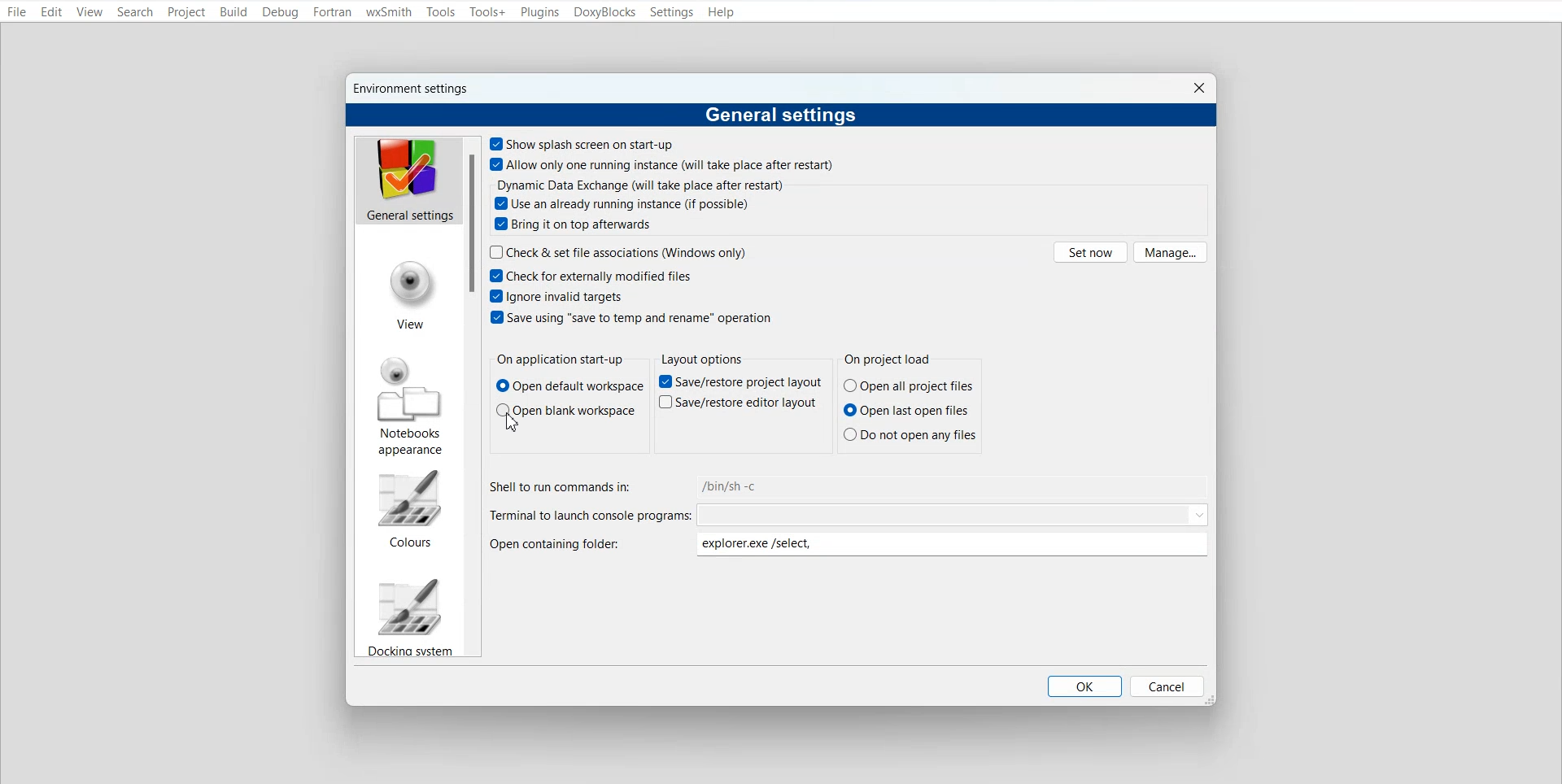 The image size is (1562, 784). Describe the element at coordinates (411, 297) in the screenshot. I see `View` at that location.